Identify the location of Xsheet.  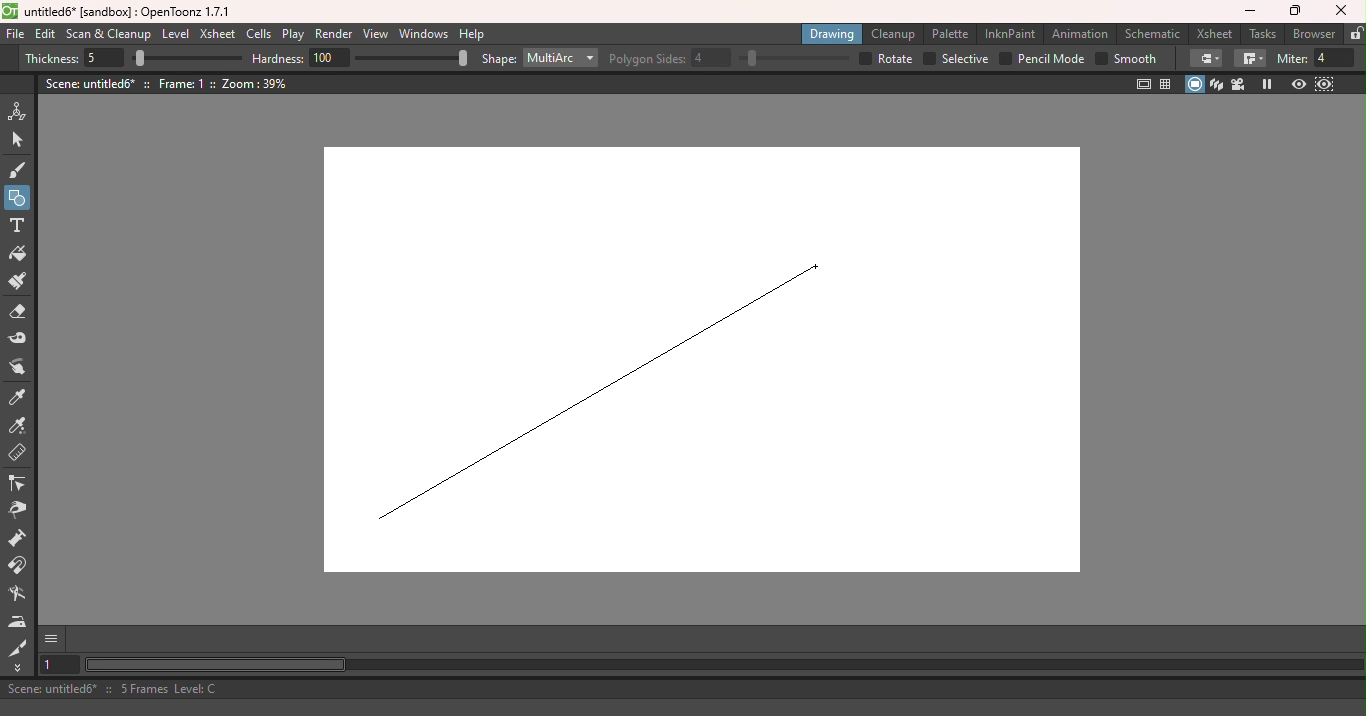
(1214, 33).